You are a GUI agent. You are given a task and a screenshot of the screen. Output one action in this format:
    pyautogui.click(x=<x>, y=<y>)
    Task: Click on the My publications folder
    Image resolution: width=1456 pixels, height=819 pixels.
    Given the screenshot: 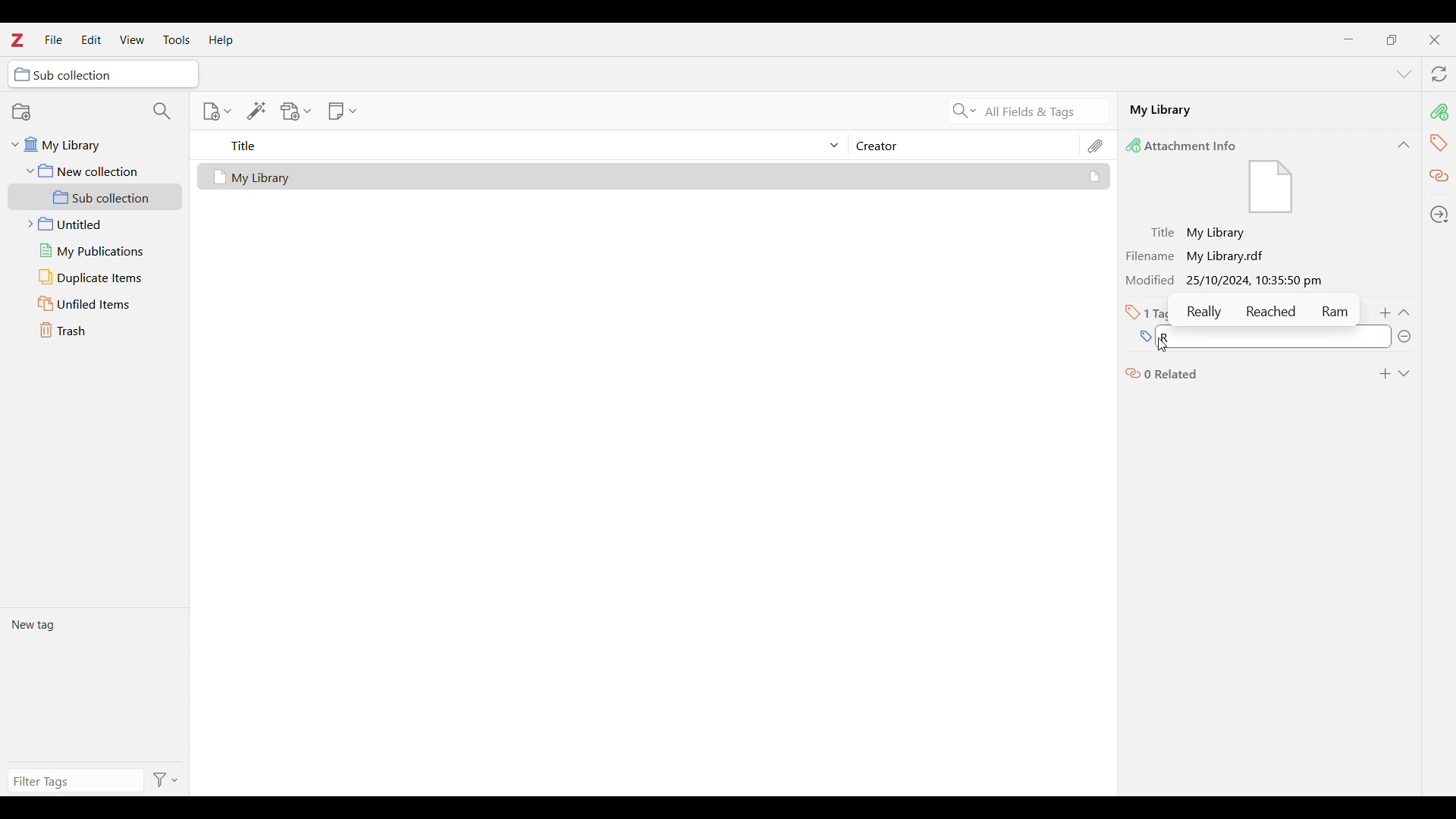 What is the action you would take?
    pyautogui.click(x=94, y=250)
    